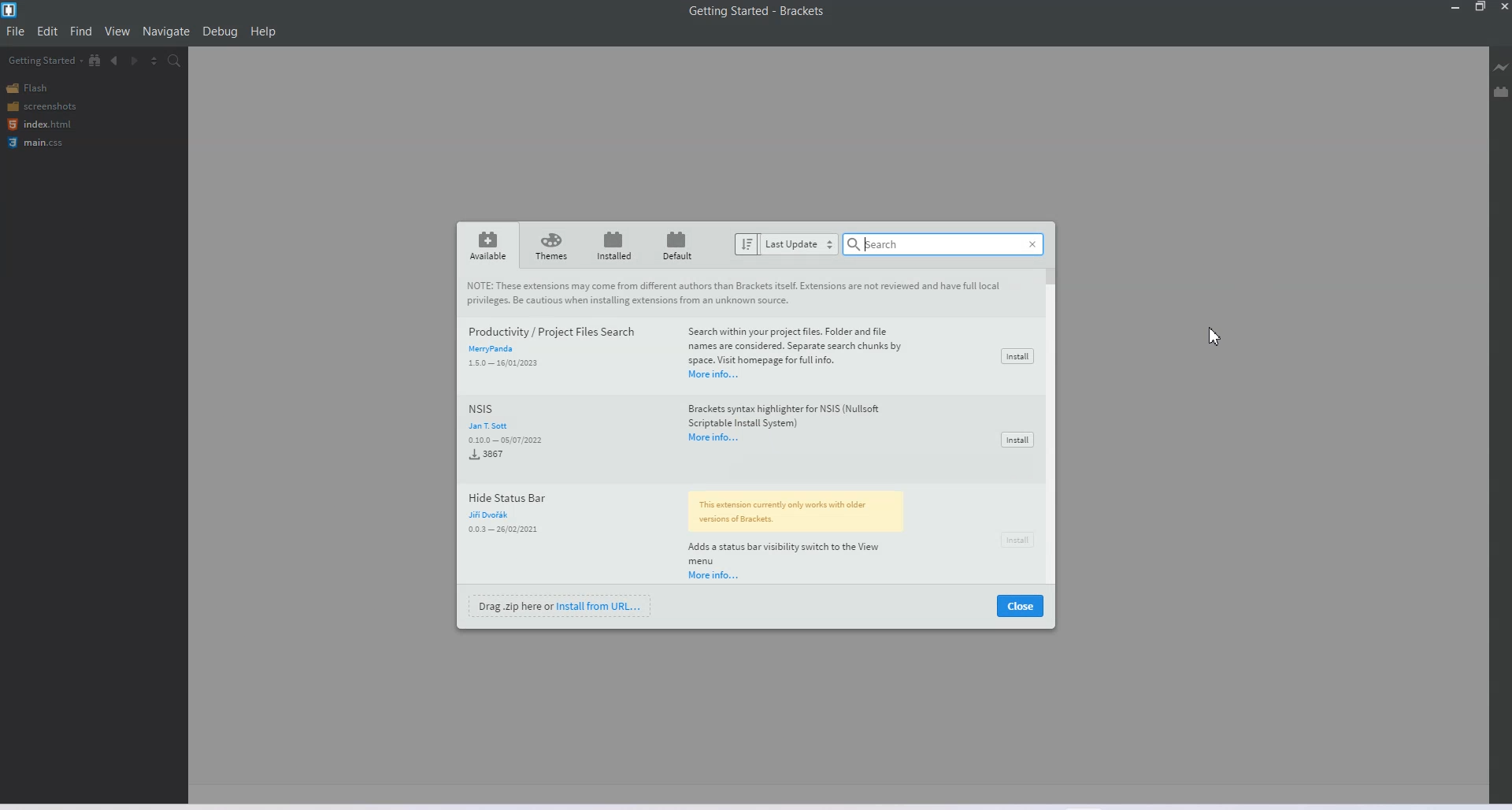 The height and width of the screenshot is (810, 1512). What do you see at coordinates (560, 607) in the screenshot?
I see `drag .zip here or install from URL` at bounding box center [560, 607].